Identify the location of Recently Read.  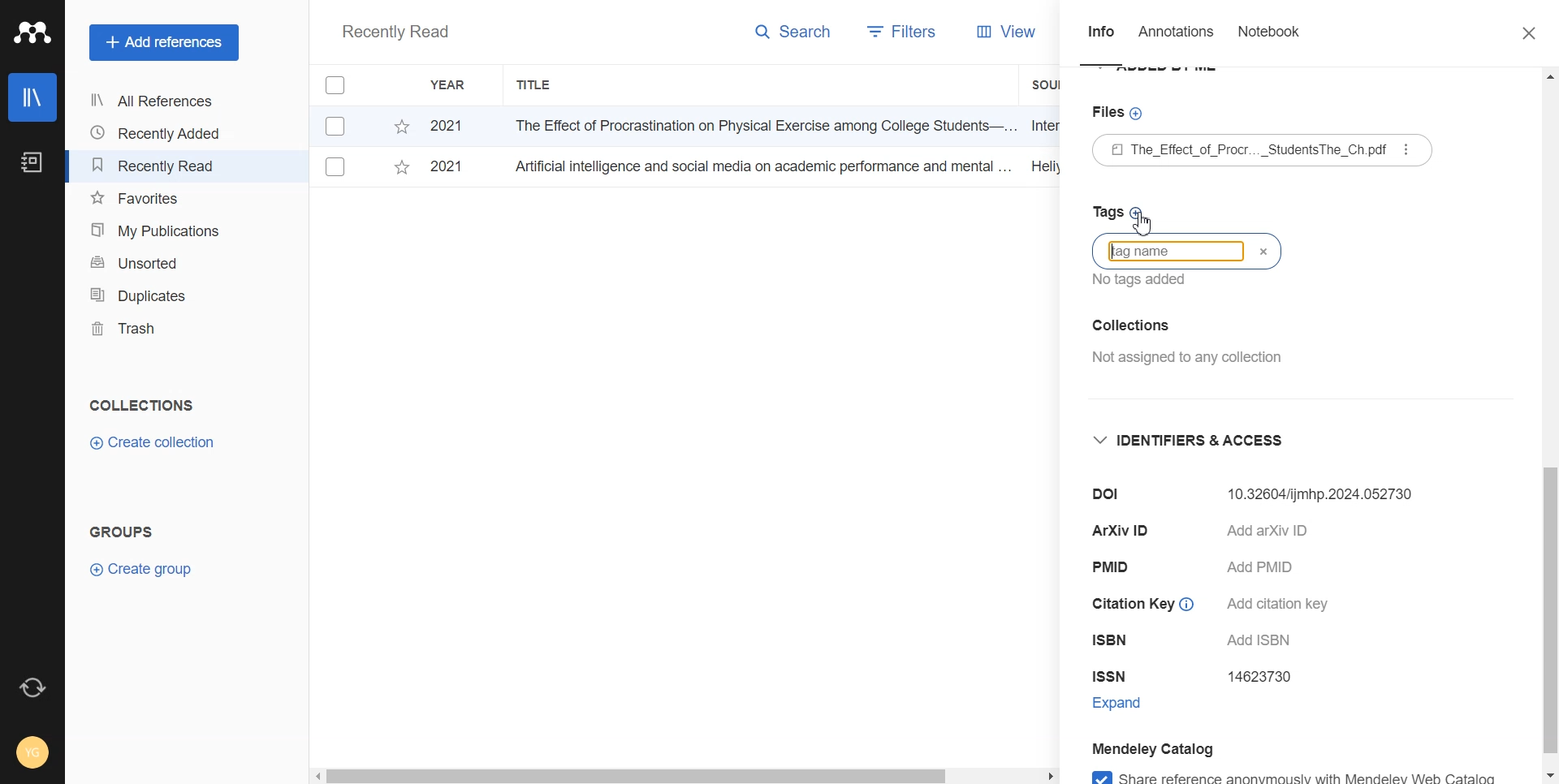
(158, 166).